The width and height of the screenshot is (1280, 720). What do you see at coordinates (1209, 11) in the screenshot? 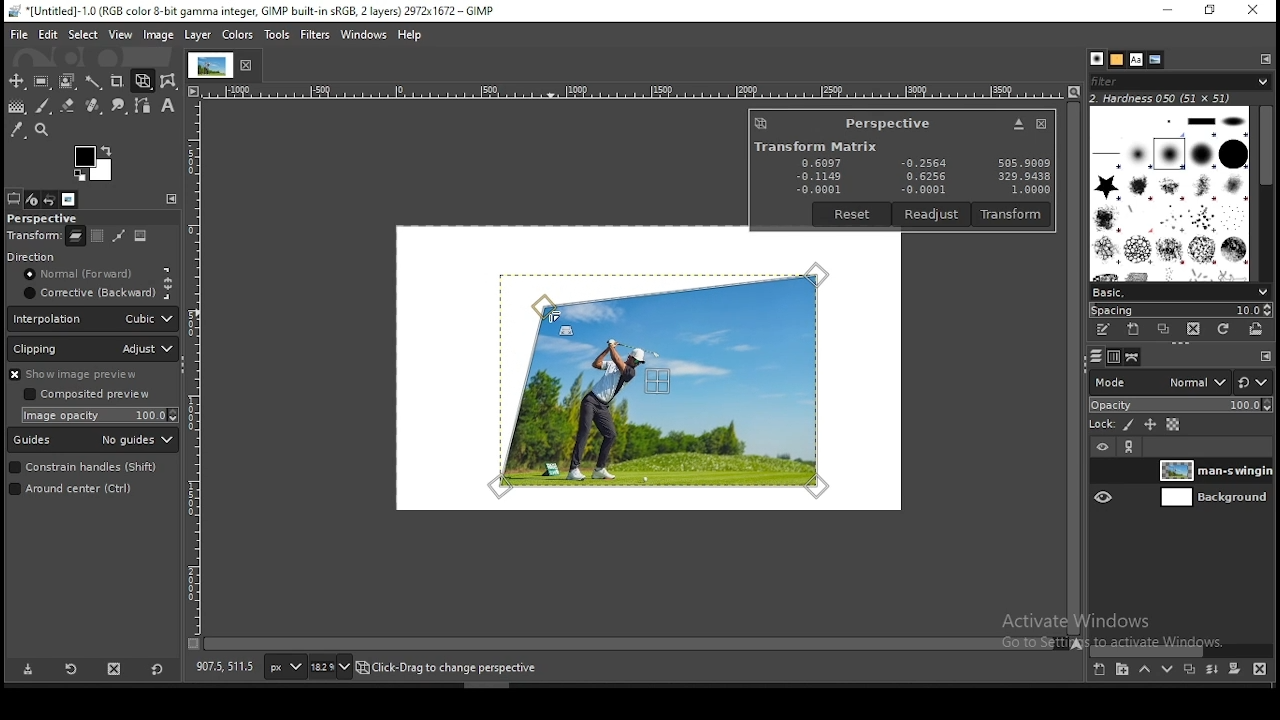
I see `restore` at bounding box center [1209, 11].